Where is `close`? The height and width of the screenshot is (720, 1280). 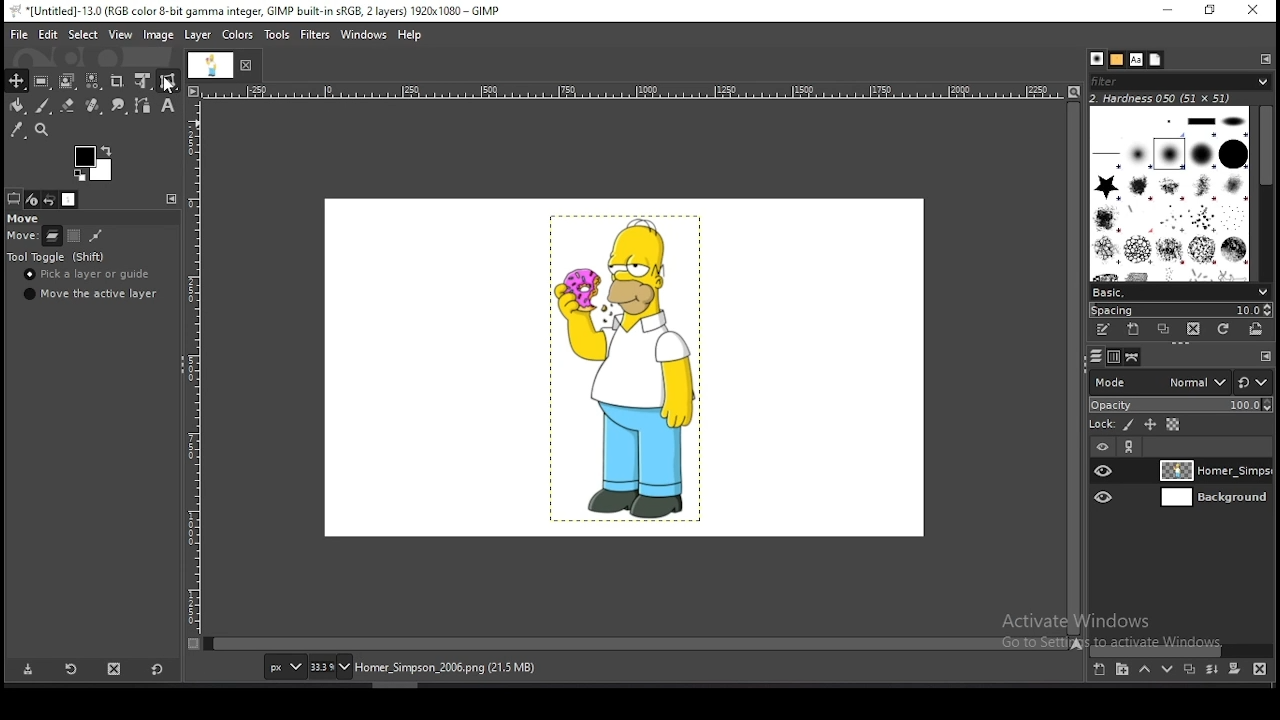 close is located at coordinates (249, 65).